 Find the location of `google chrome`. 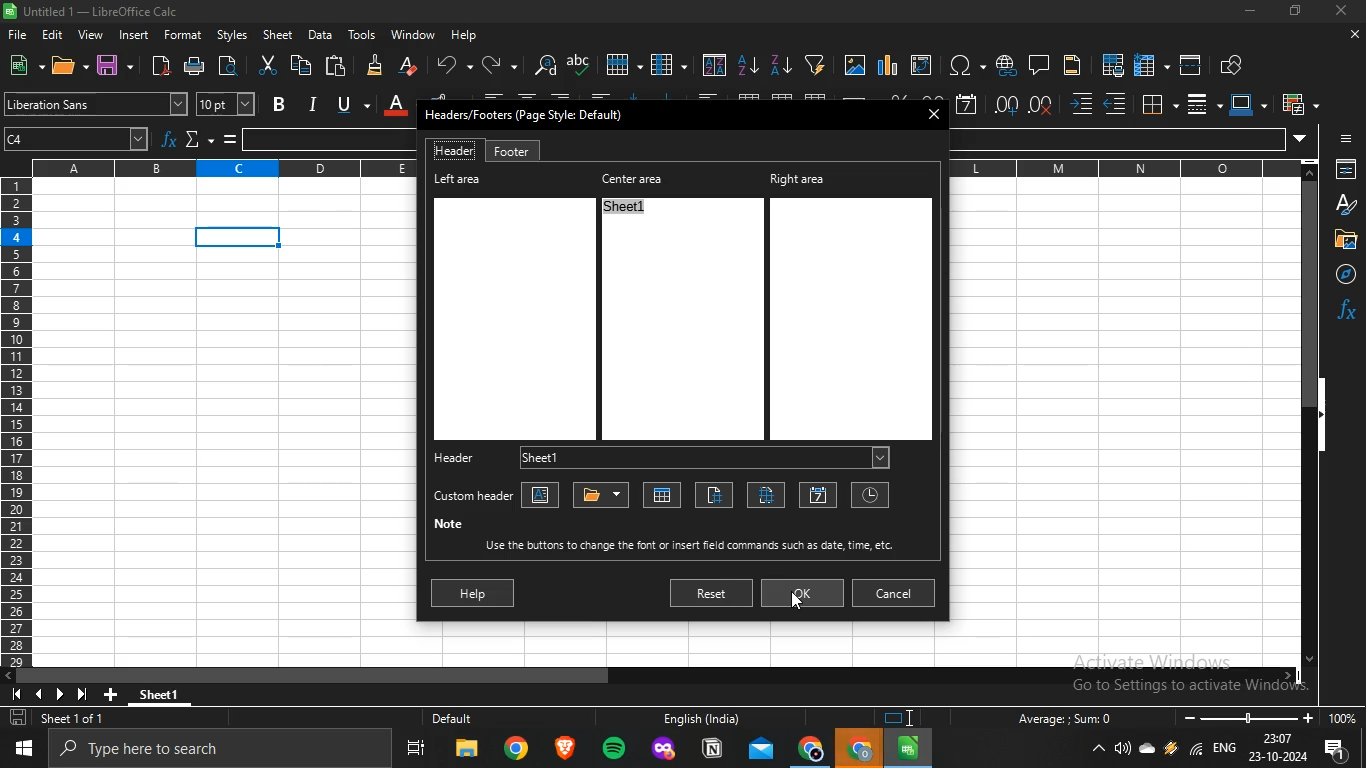

google chrome is located at coordinates (860, 749).